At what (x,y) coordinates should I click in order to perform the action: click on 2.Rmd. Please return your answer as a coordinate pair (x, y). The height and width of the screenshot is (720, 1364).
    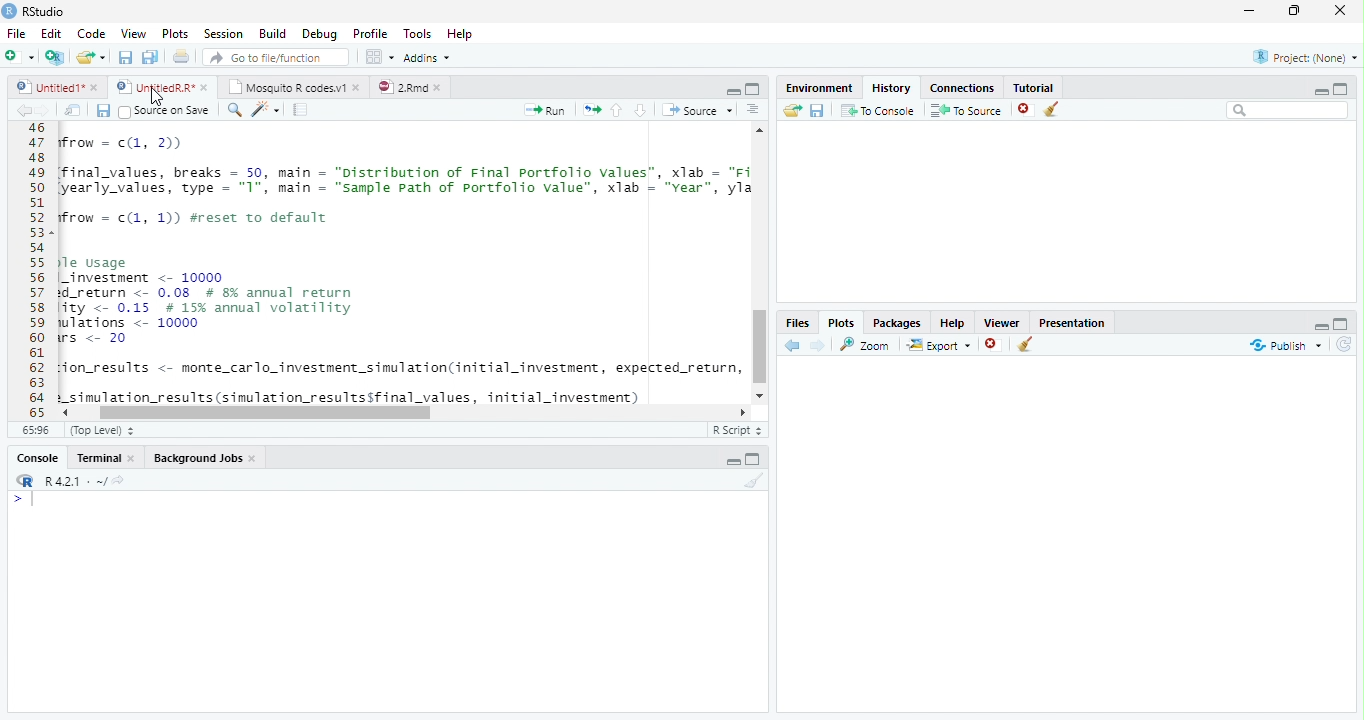
    Looking at the image, I should click on (410, 87).